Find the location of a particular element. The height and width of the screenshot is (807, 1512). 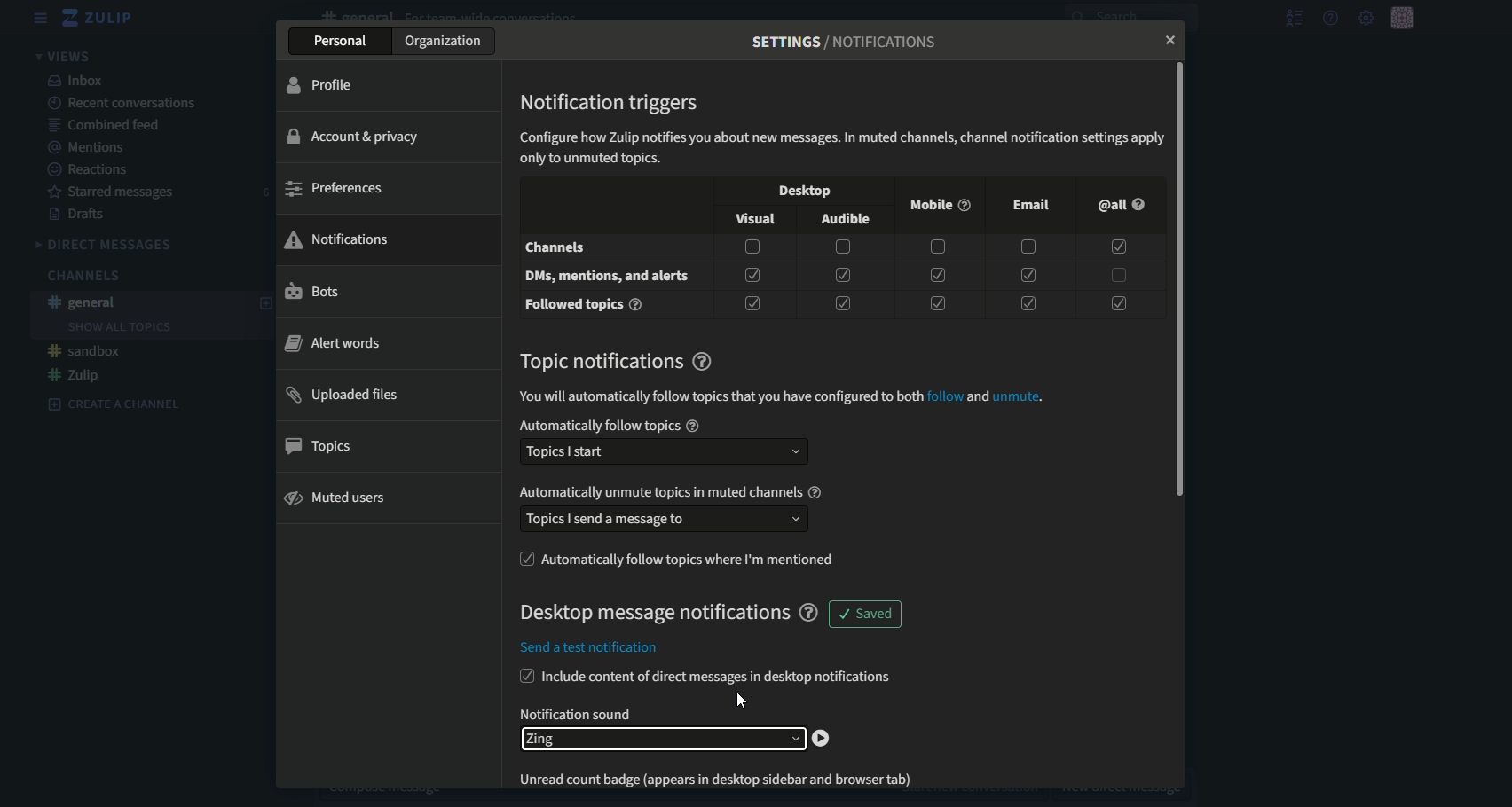

and is located at coordinates (978, 396).